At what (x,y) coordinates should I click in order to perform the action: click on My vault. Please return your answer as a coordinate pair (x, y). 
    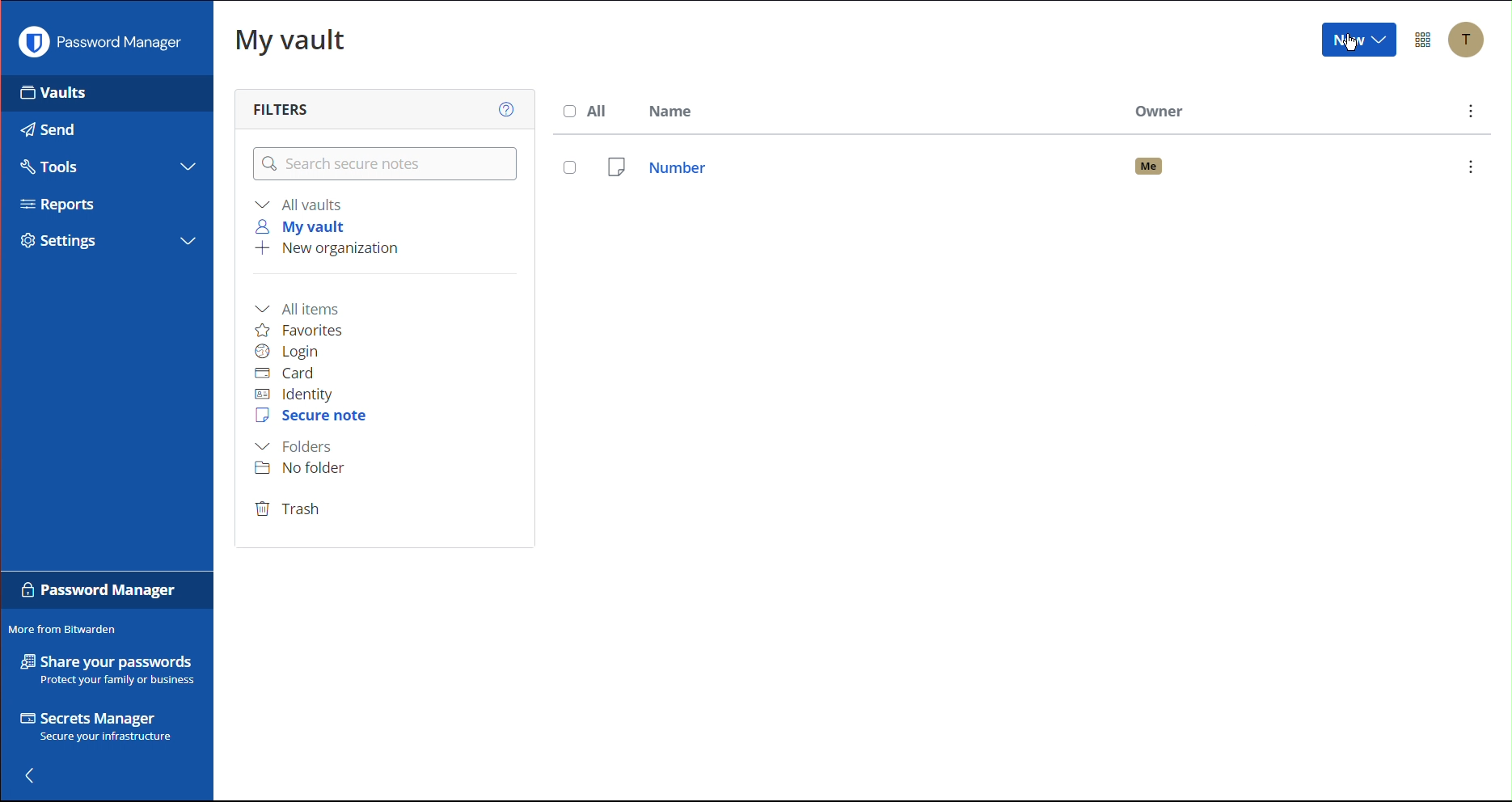
    Looking at the image, I should click on (305, 226).